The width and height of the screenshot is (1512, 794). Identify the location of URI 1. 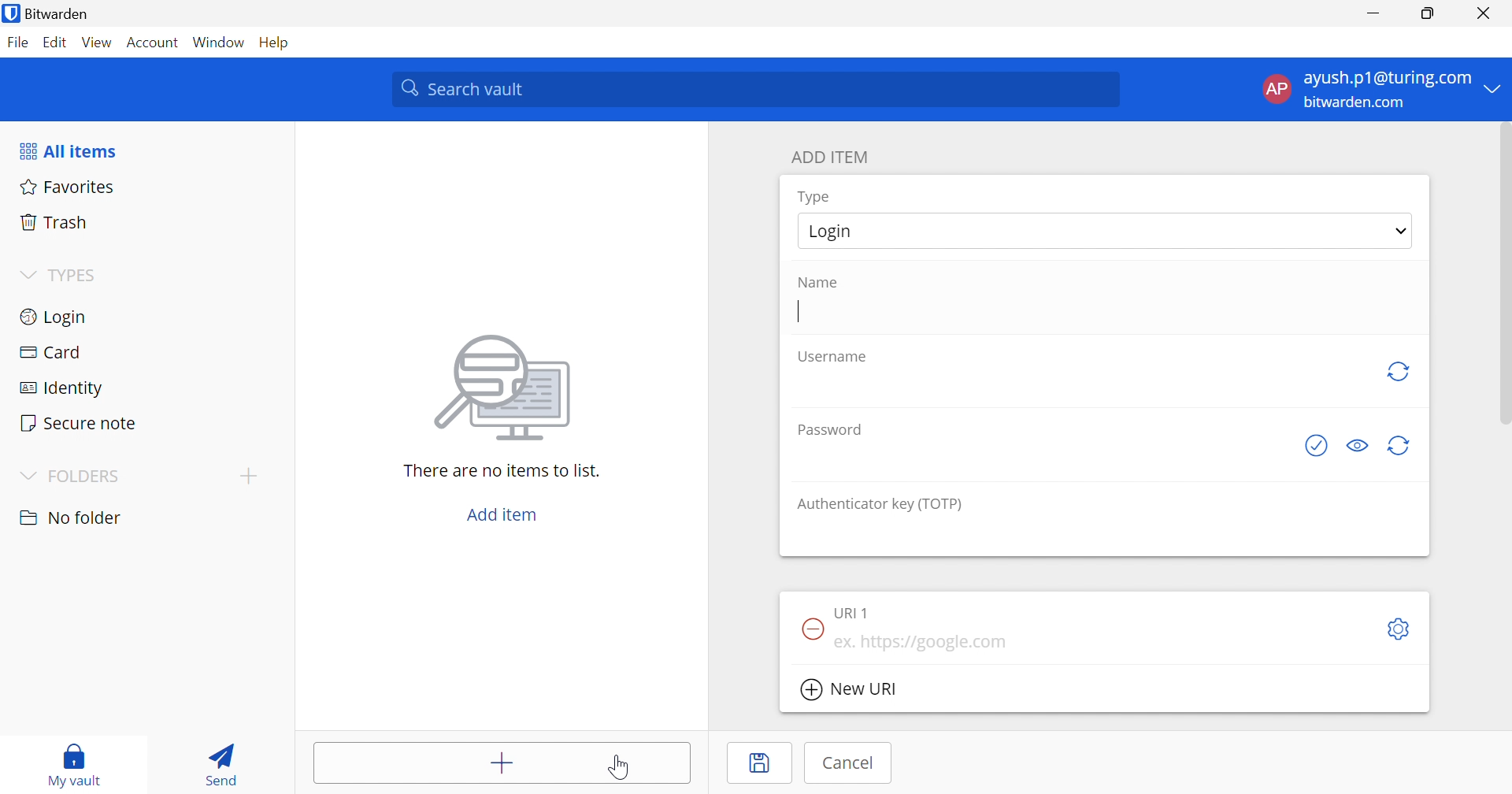
(854, 611).